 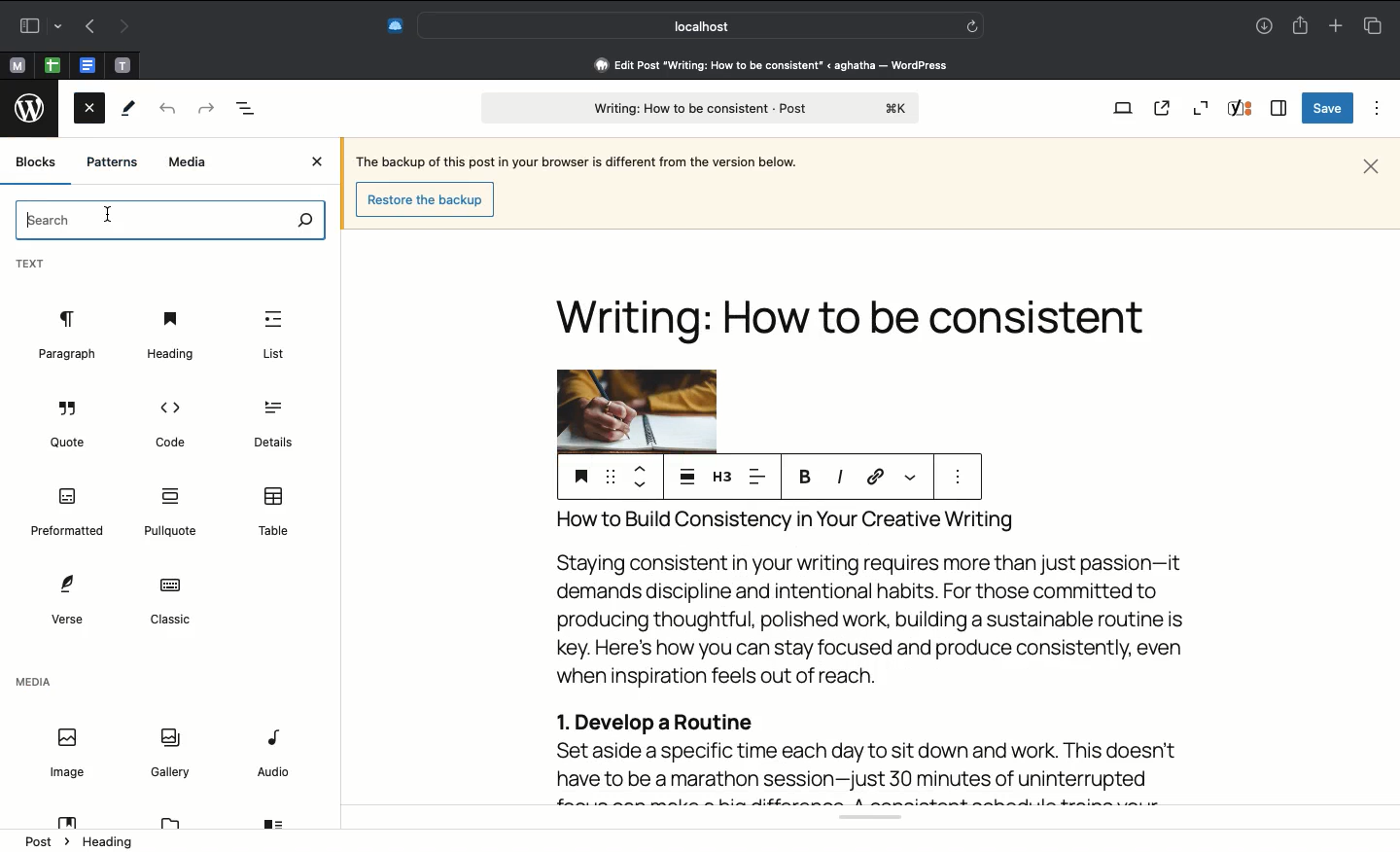 I want to click on Sentence about backup , so click(x=575, y=160).